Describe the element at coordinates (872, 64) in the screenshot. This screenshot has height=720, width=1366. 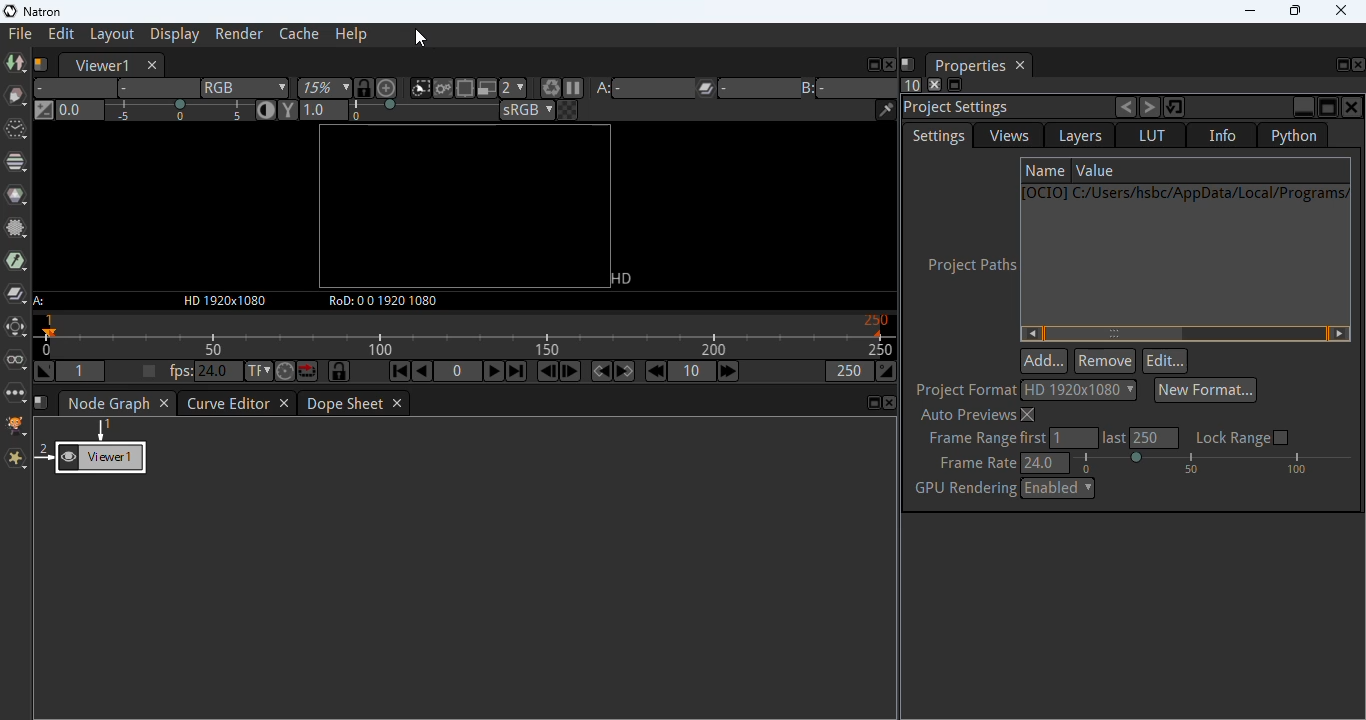
I see `float pane` at that location.